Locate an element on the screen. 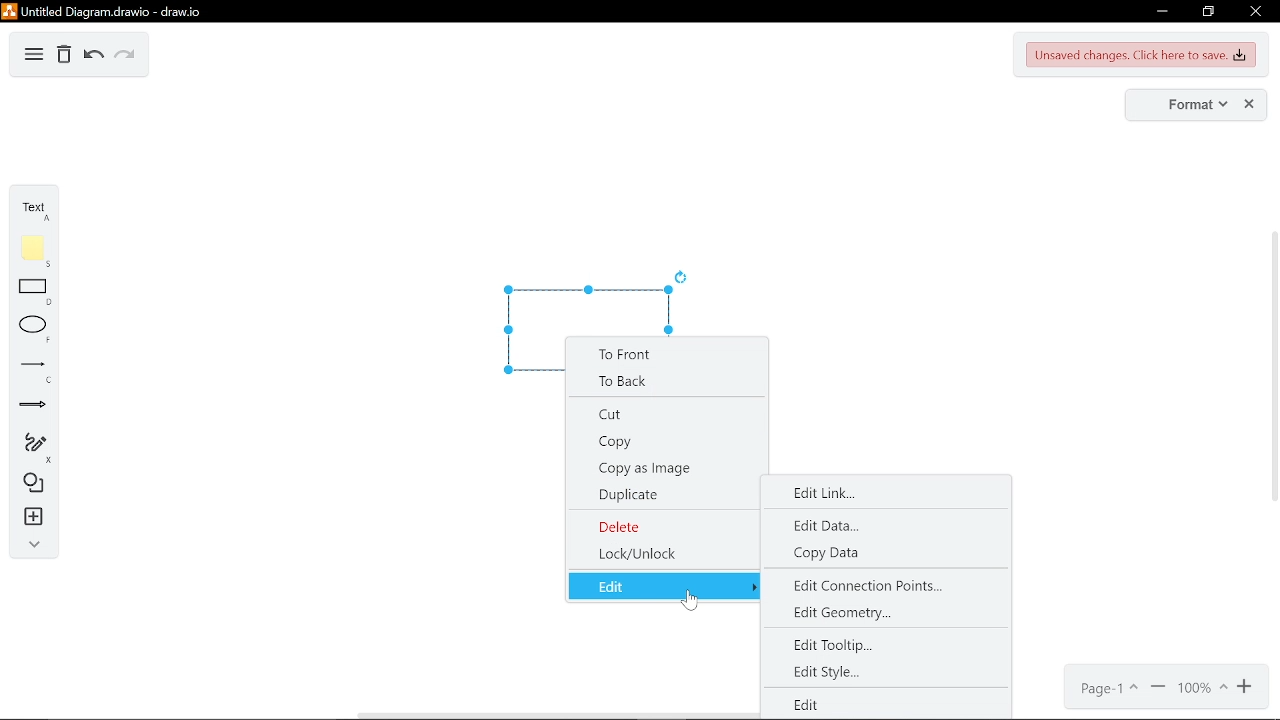 Image resolution: width=1280 pixels, height=720 pixels. rectangle is located at coordinates (36, 294).